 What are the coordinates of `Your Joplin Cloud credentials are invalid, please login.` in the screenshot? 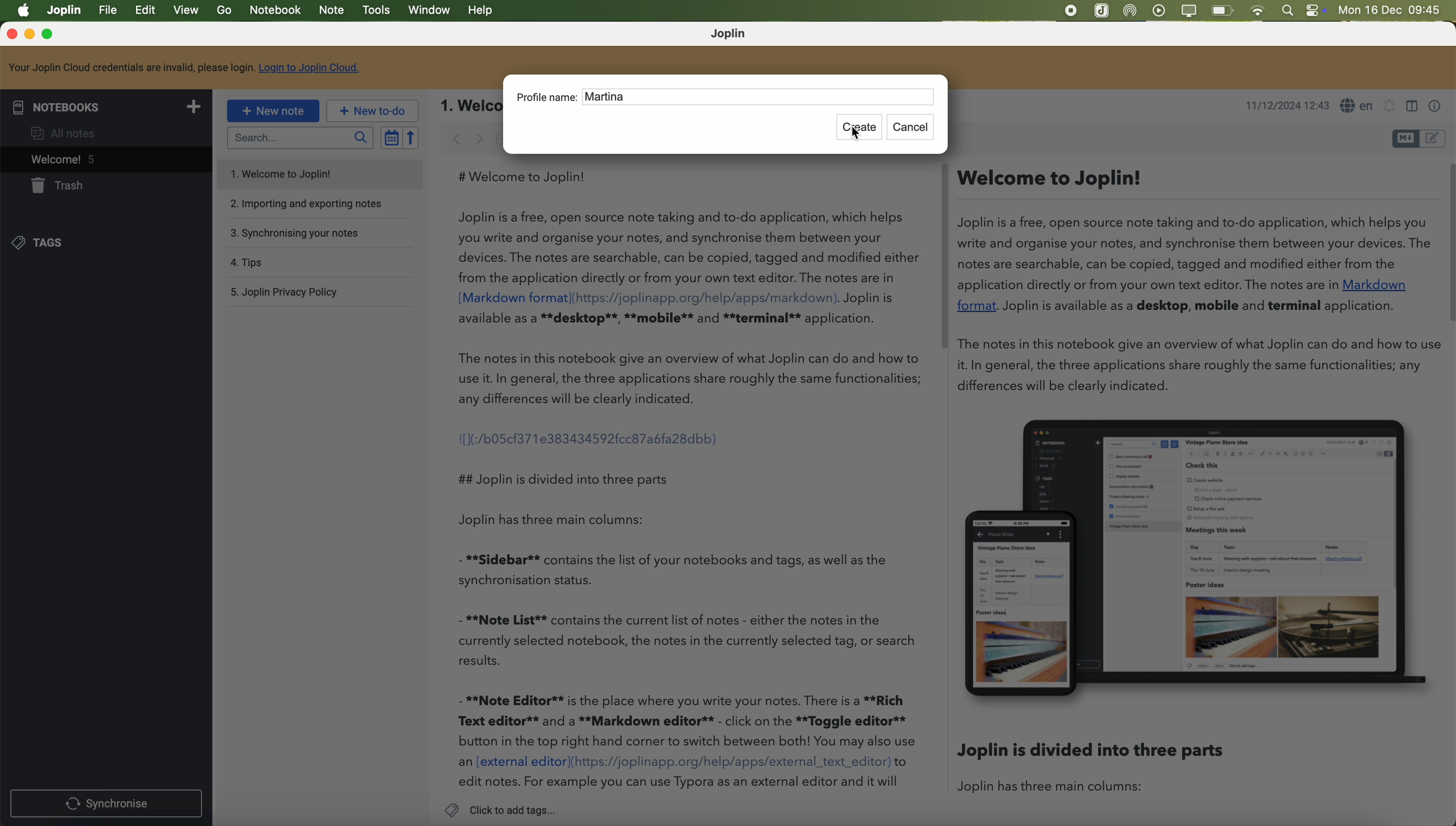 It's located at (130, 68).